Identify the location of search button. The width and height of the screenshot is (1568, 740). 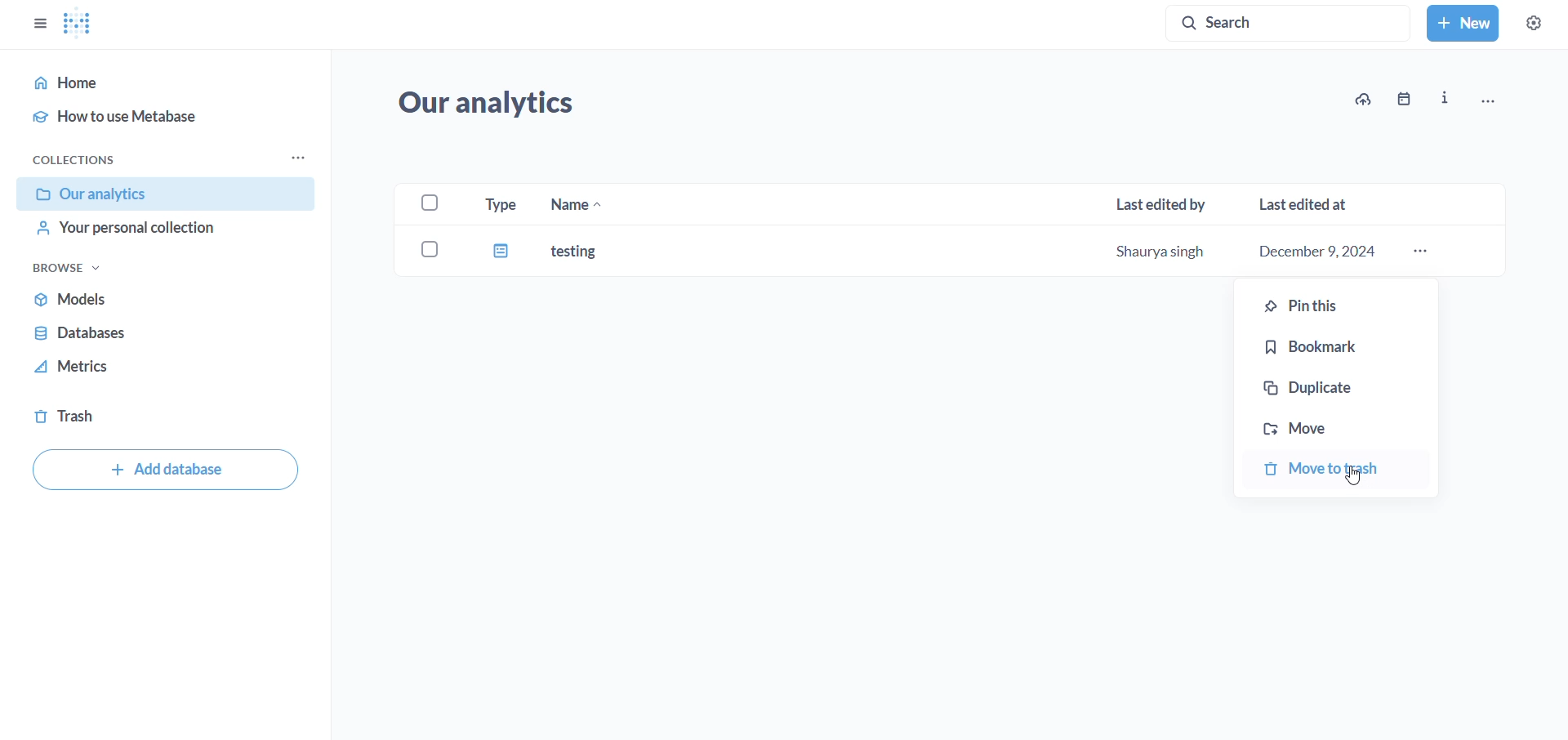
(1290, 24).